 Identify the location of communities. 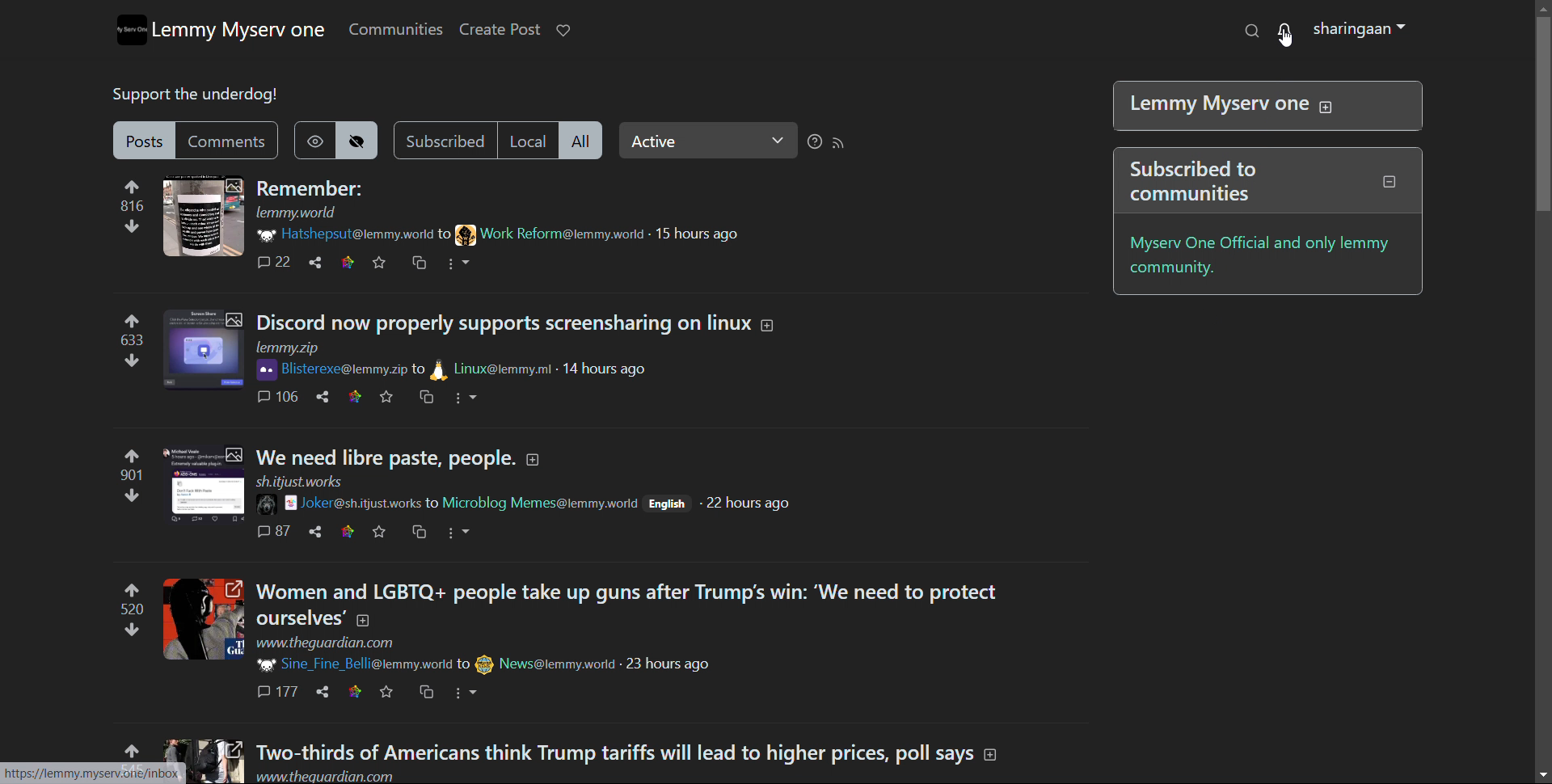
(394, 28).